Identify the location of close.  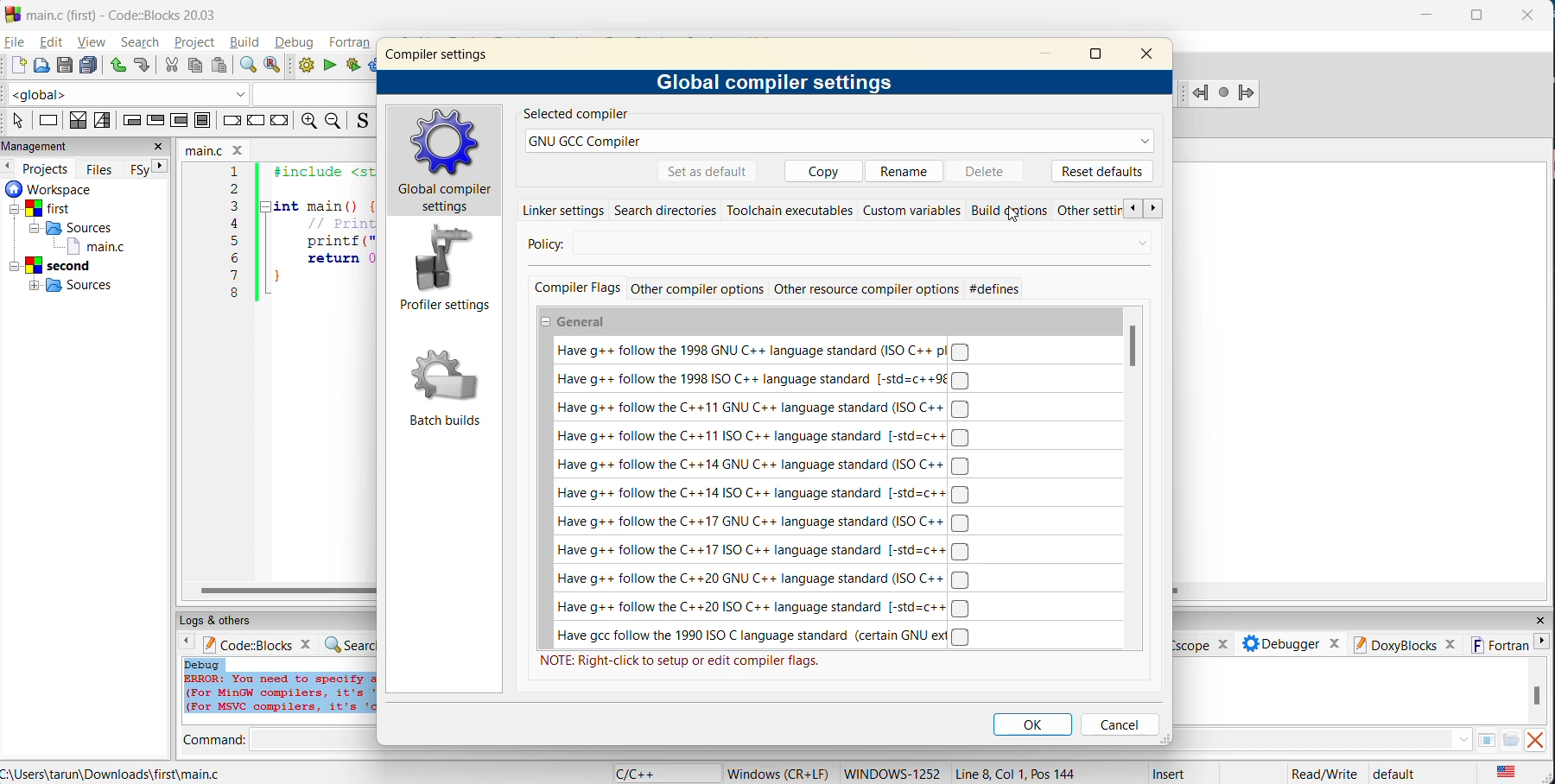
(158, 148).